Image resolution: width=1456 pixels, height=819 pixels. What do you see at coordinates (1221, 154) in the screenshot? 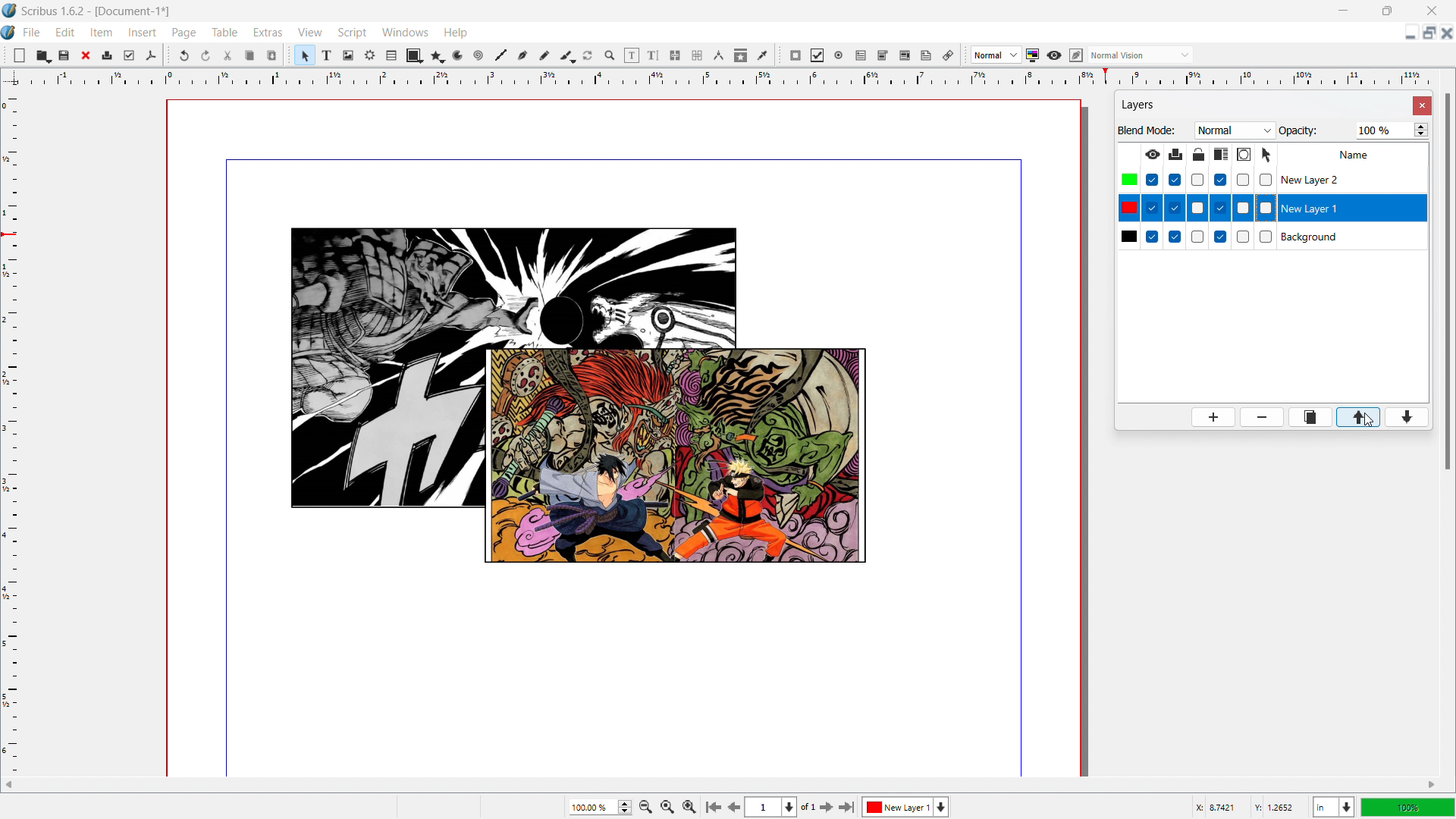
I see `make text in lower layer float around object` at bounding box center [1221, 154].